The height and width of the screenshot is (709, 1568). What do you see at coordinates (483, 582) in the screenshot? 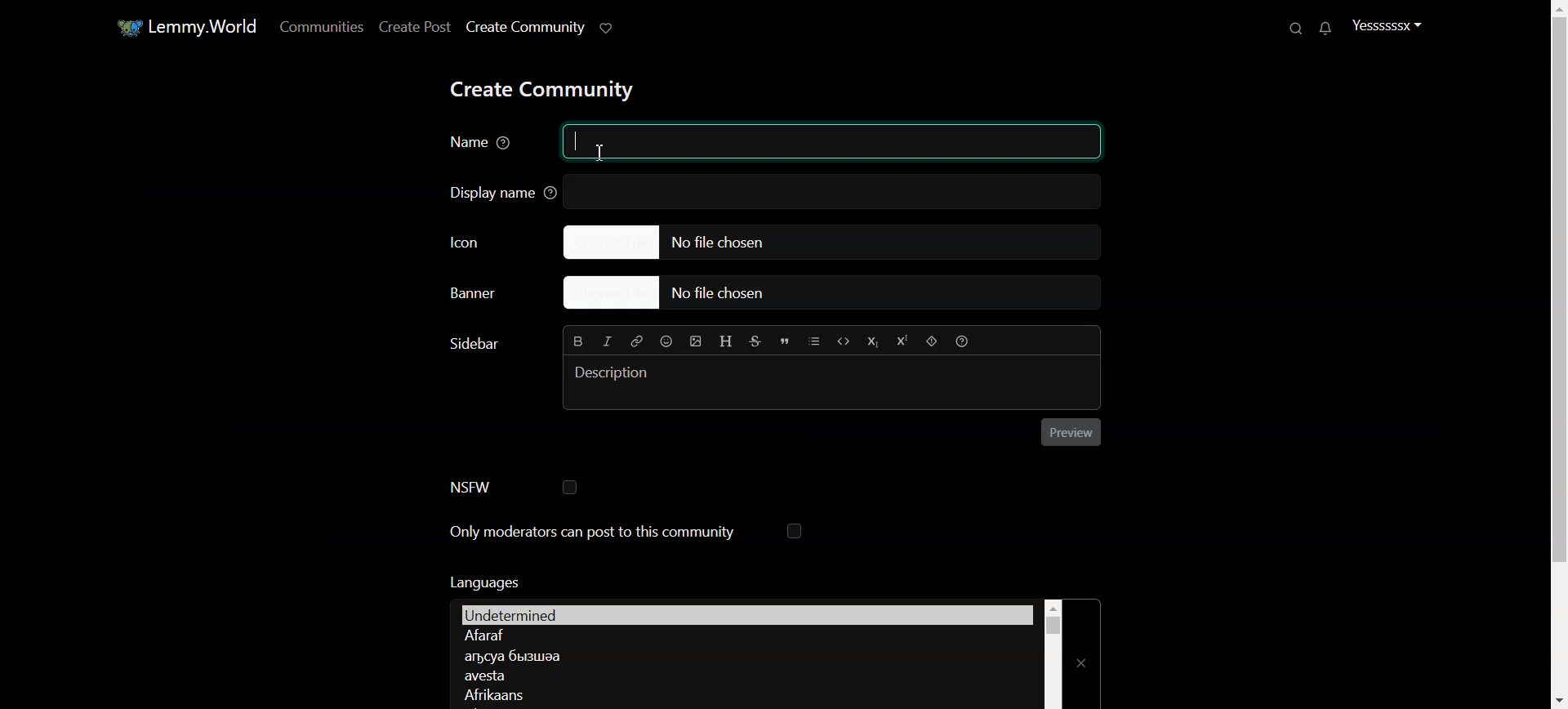
I see `Text` at bounding box center [483, 582].